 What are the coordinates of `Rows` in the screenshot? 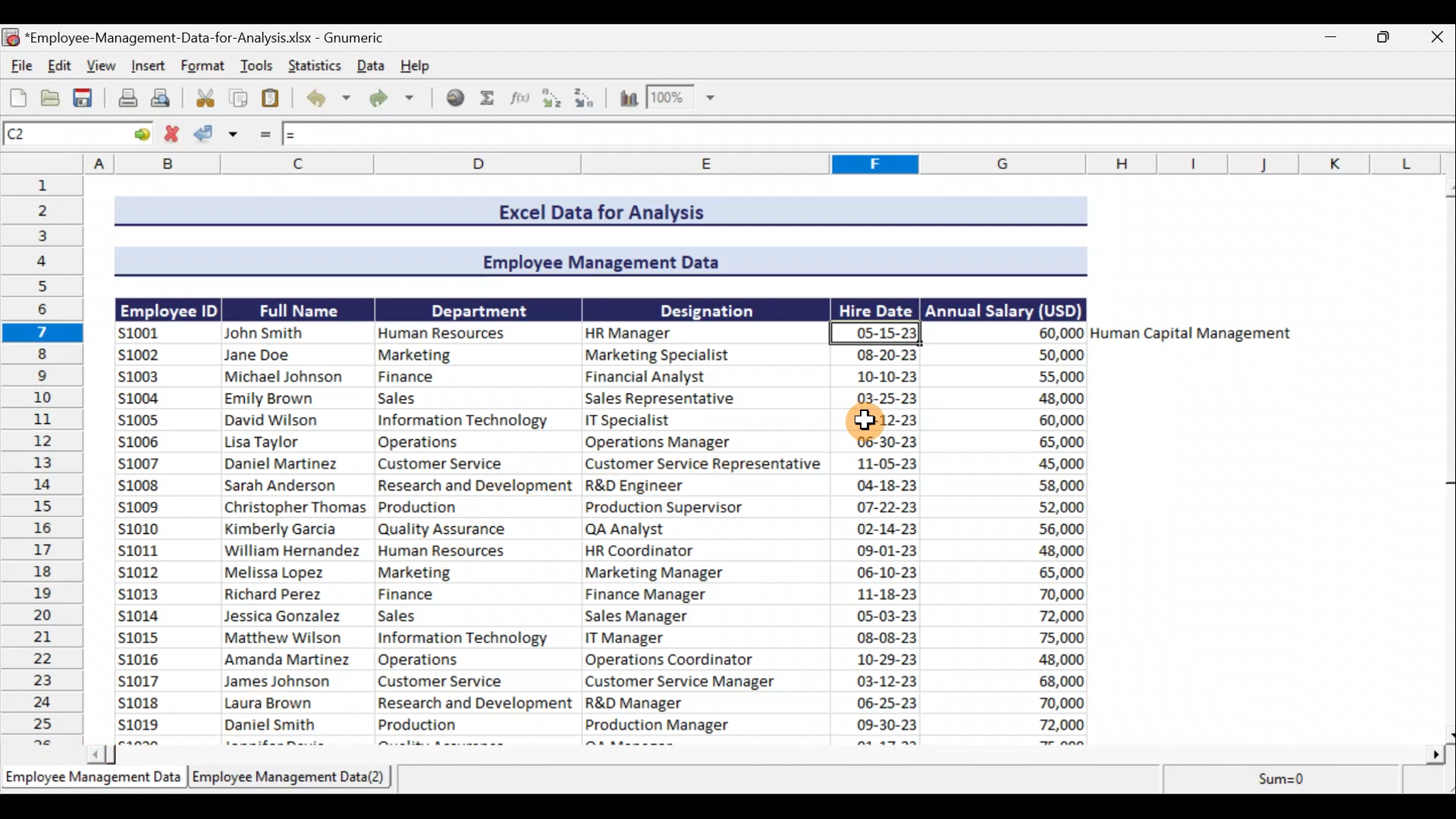 It's located at (42, 459).